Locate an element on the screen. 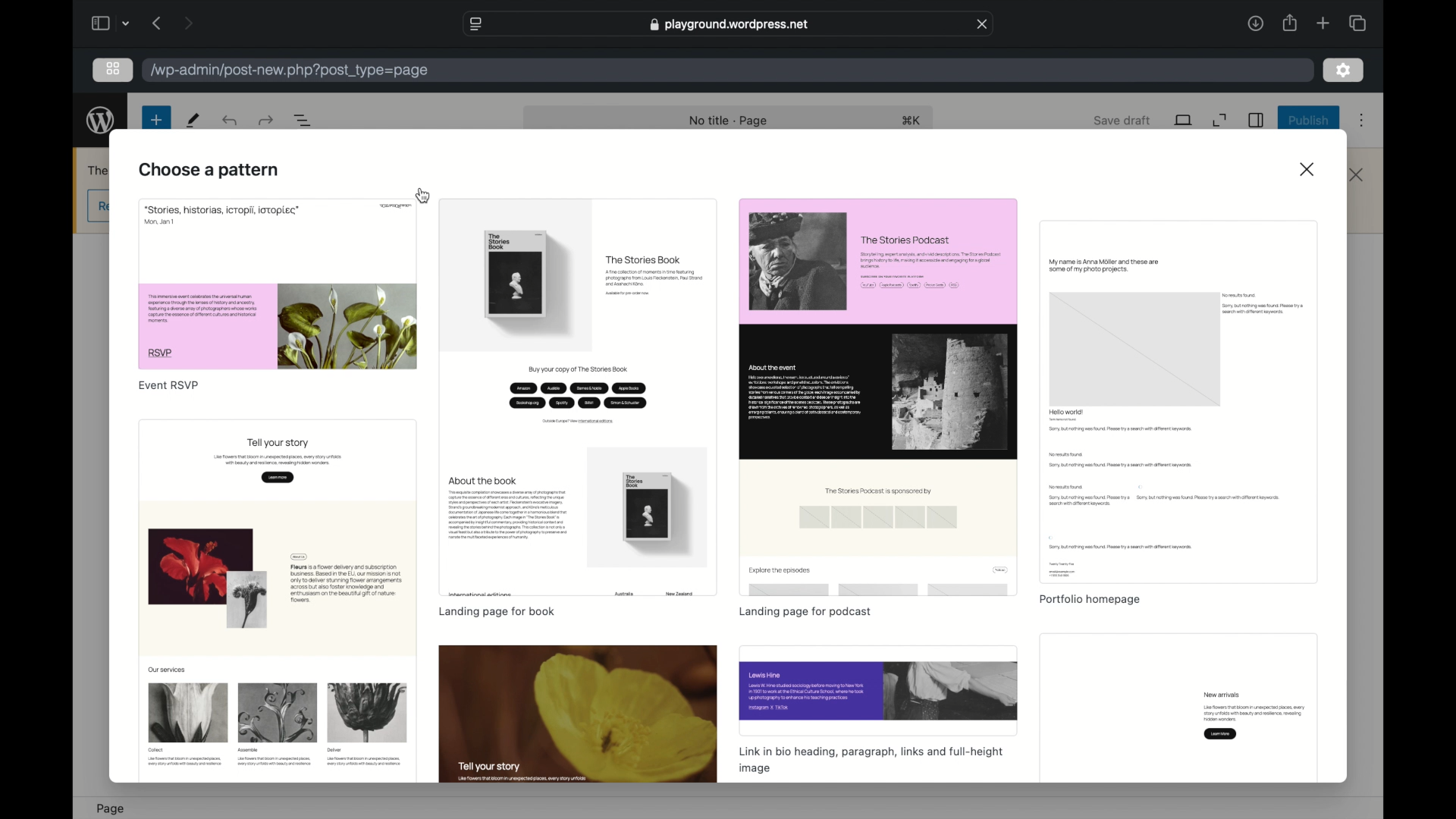 This screenshot has width=1456, height=819. preview is located at coordinates (277, 284).